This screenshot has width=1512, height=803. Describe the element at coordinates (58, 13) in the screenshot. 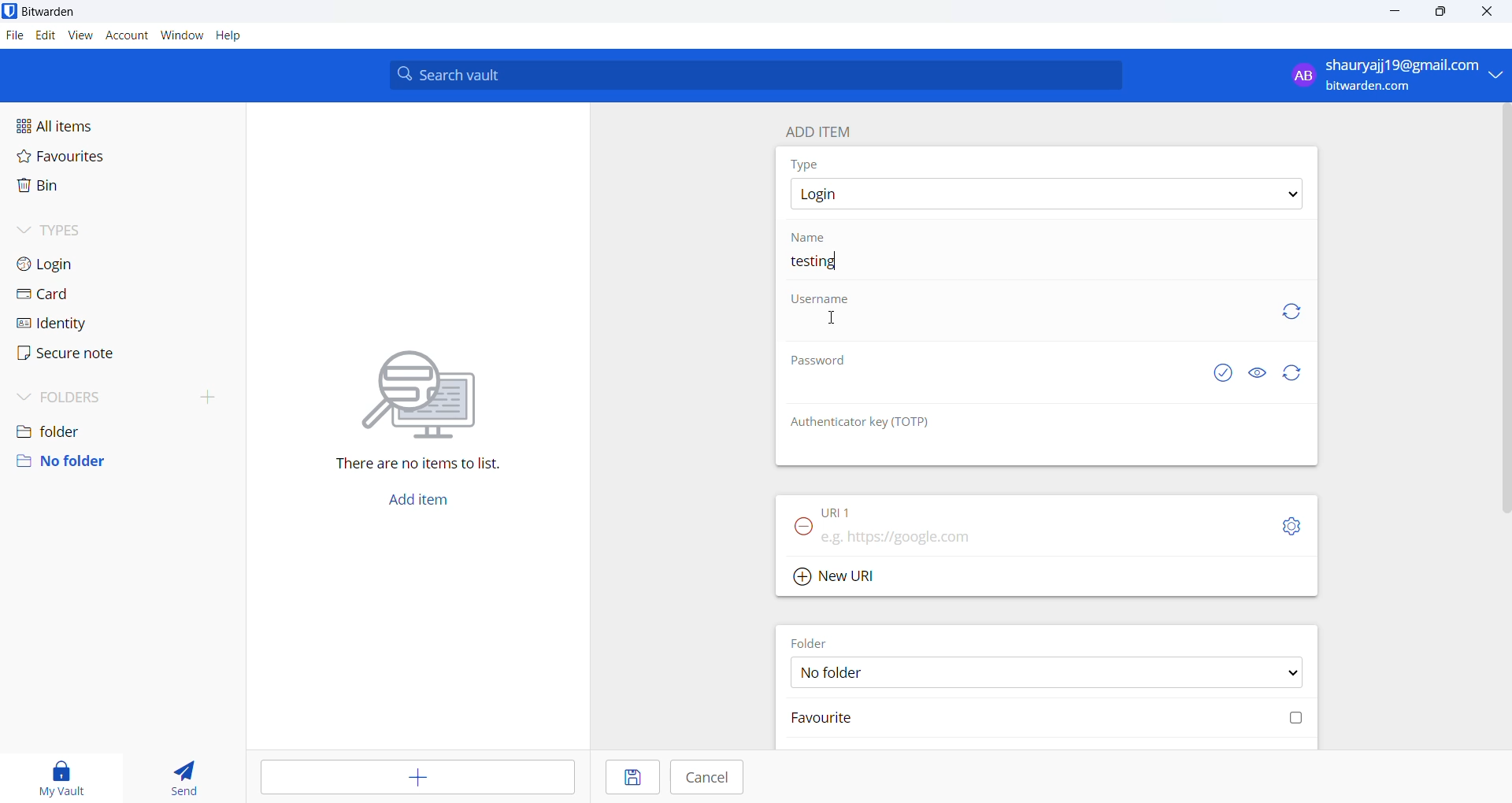

I see `application name and logo` at that location.